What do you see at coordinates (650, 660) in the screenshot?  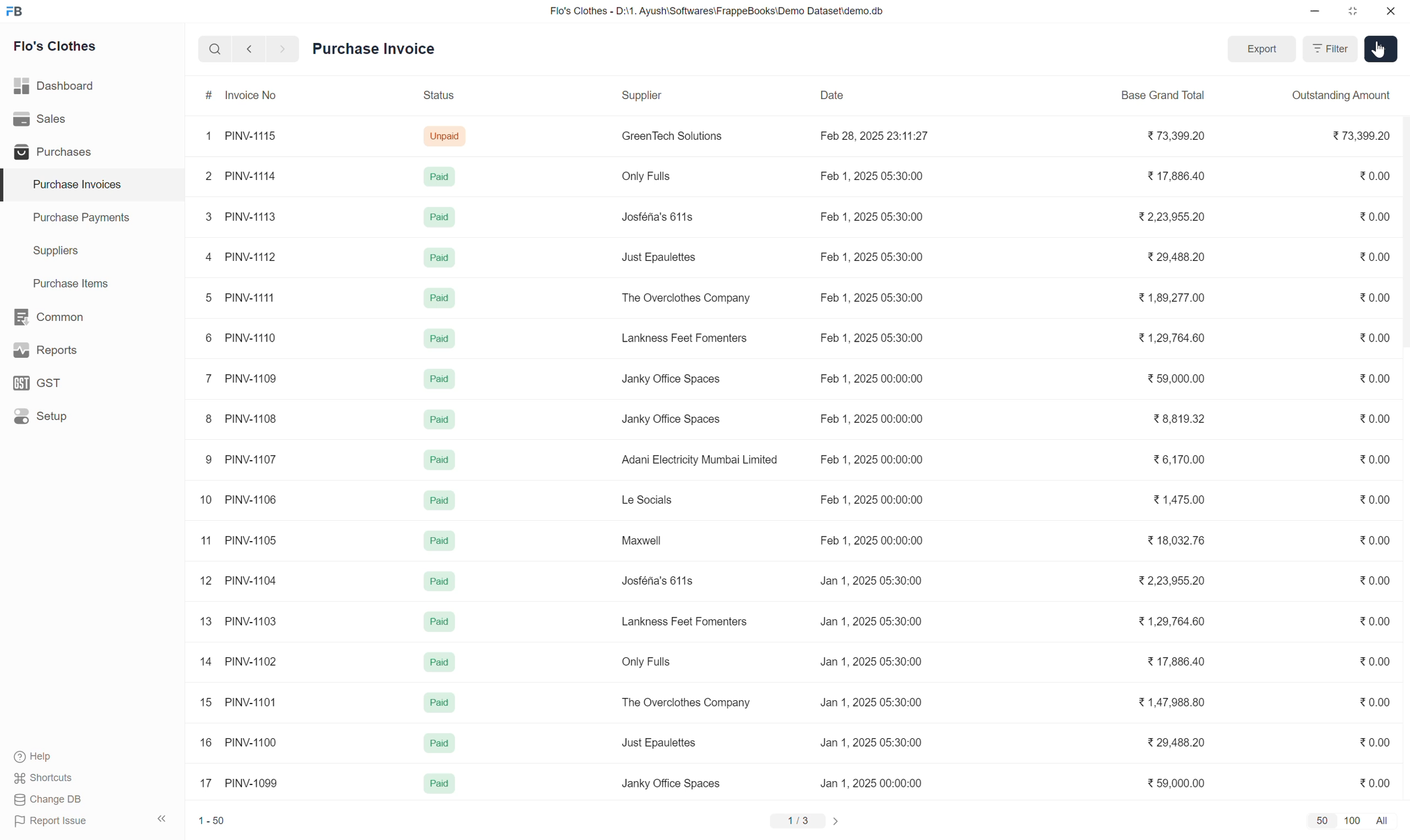 I see `Only Fulls` at bounding box center [650, 660].